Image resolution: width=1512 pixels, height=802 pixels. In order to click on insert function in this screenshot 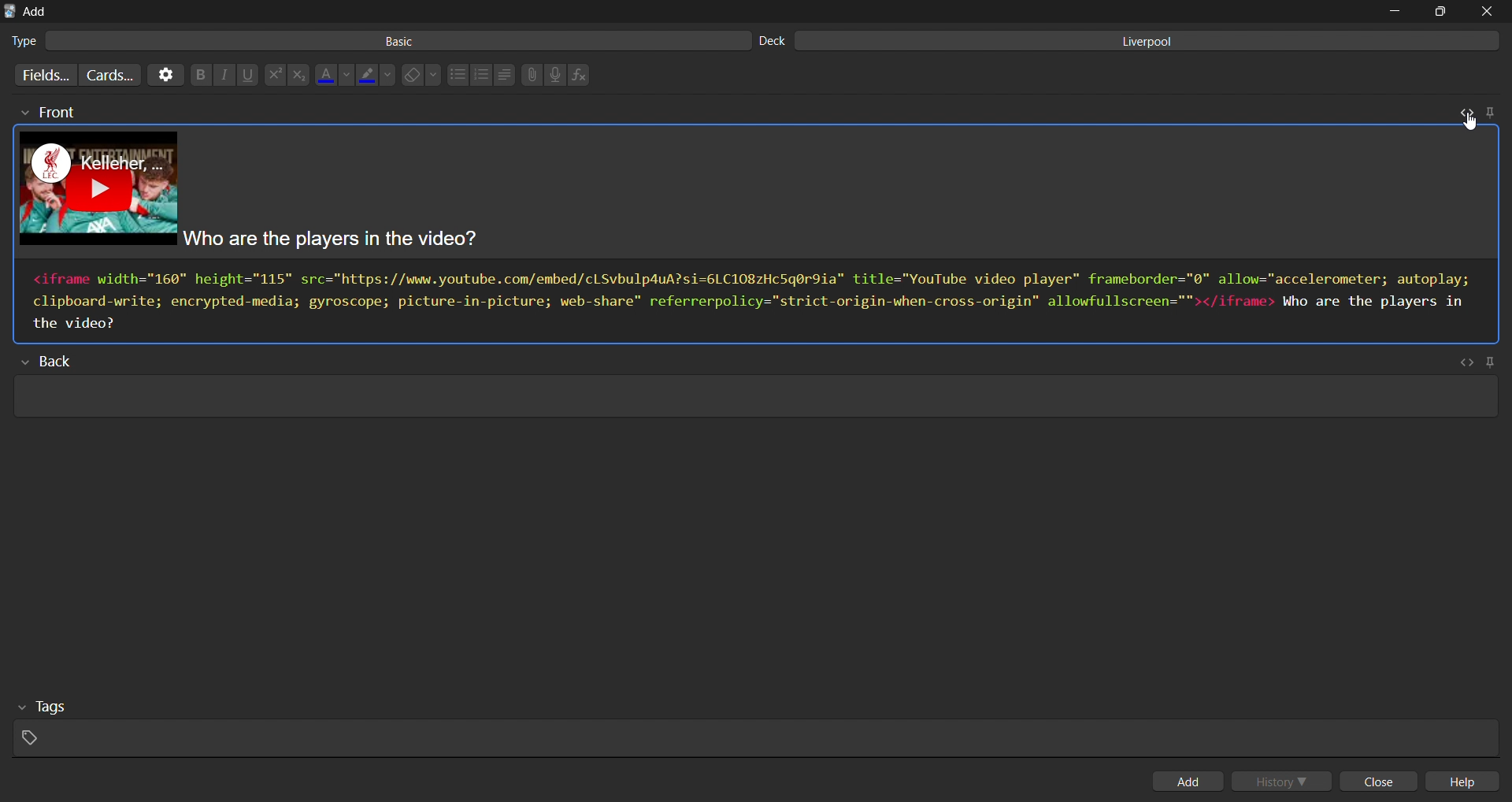, I will do `click(583, 75)`.